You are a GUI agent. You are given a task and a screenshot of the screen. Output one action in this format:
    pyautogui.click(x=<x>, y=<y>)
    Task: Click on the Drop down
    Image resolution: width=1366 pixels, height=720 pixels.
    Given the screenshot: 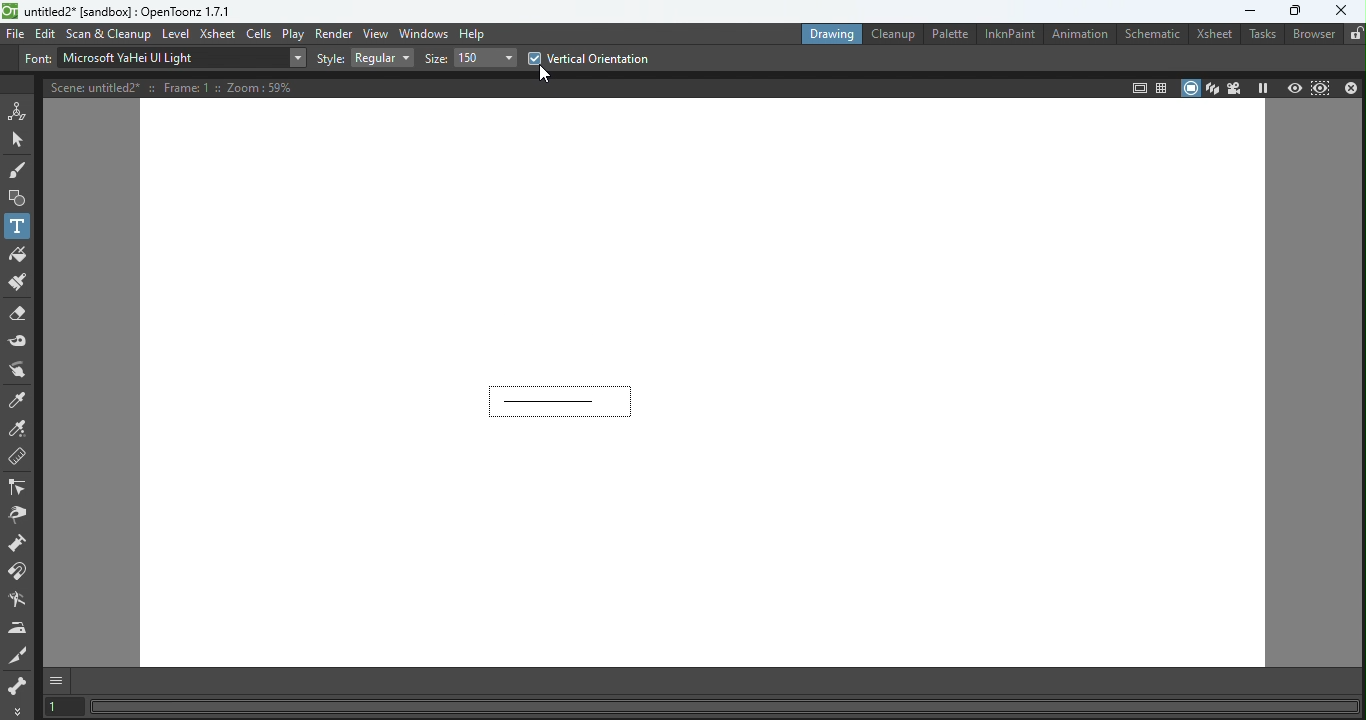 What is the action you would take?
    pyautogui.click(x=486, y=58)
    